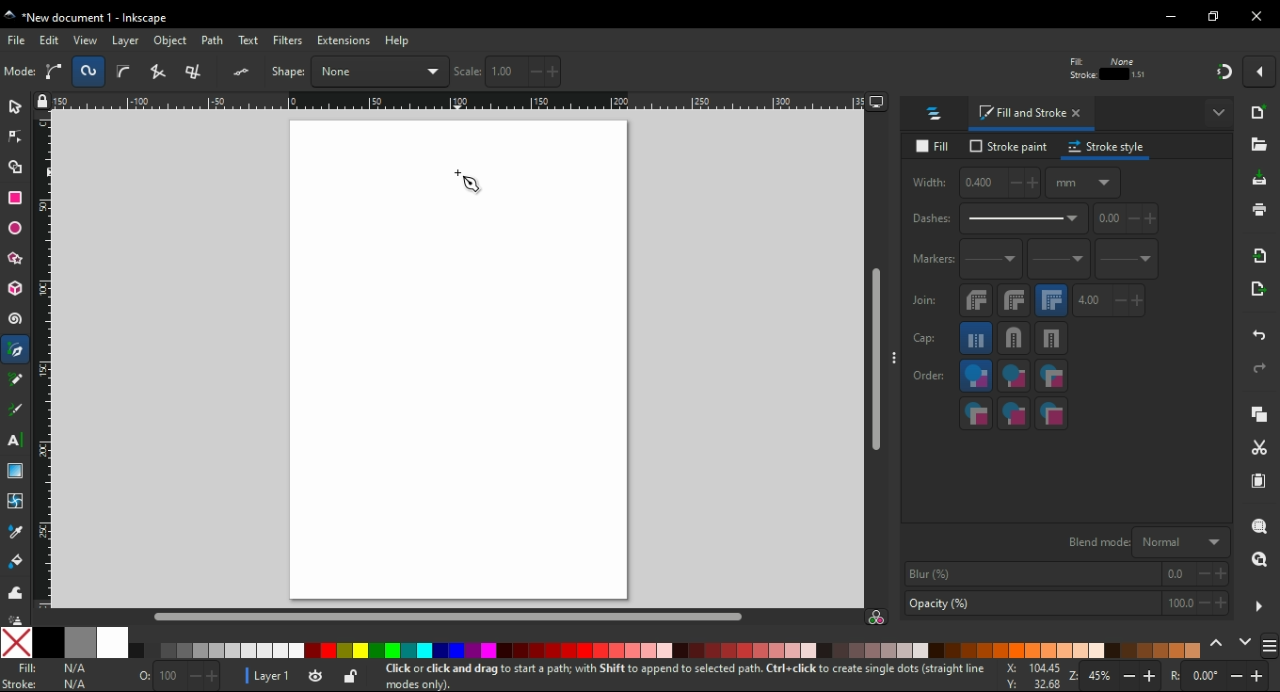 The image size is (1280, 692). What do you see at coordinates (1219, 644) in the screenshot?
I see `previous` at bounding box center [1219, 644].